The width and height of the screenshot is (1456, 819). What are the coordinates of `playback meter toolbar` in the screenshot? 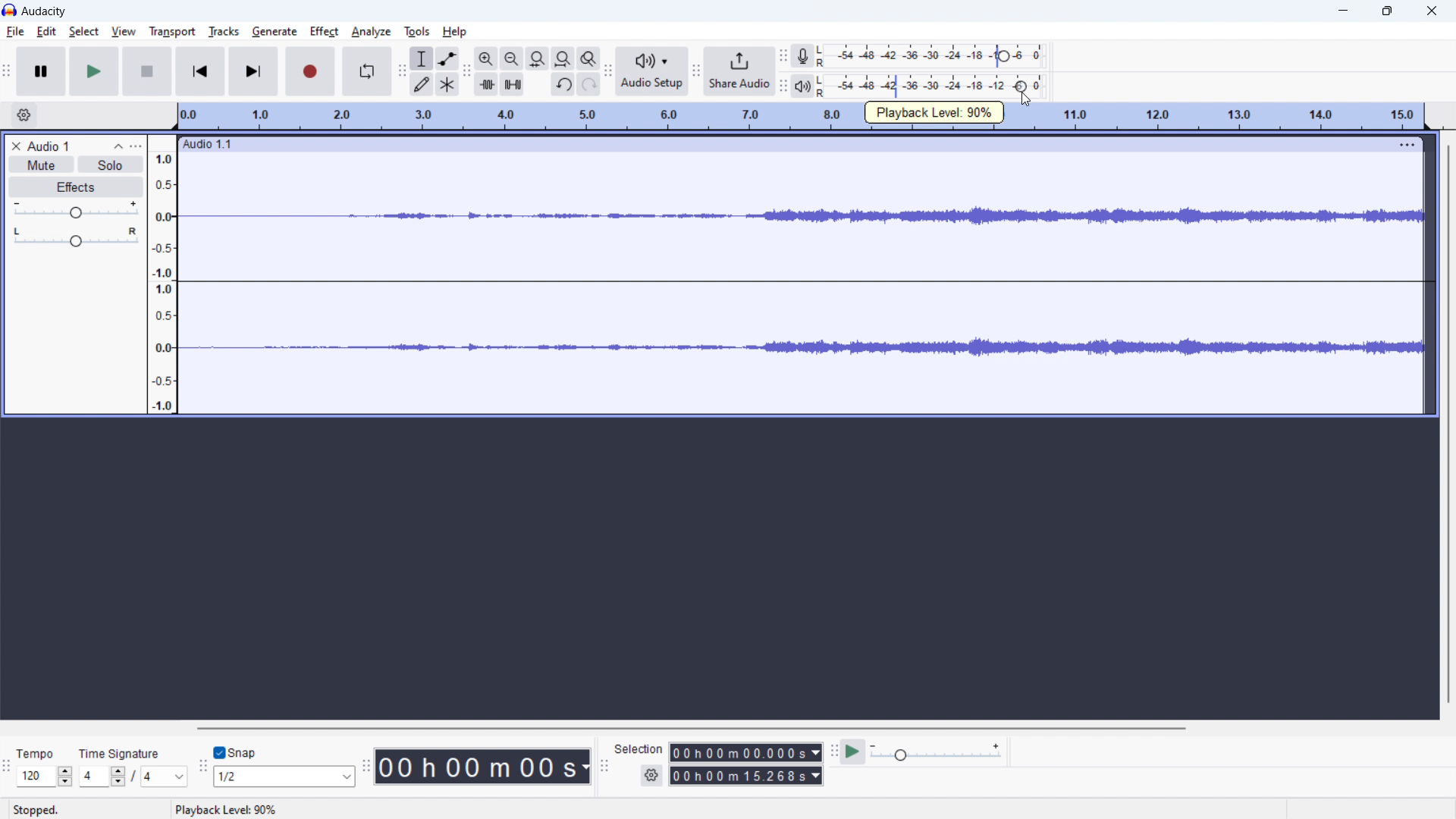 It's located at (781, 83).